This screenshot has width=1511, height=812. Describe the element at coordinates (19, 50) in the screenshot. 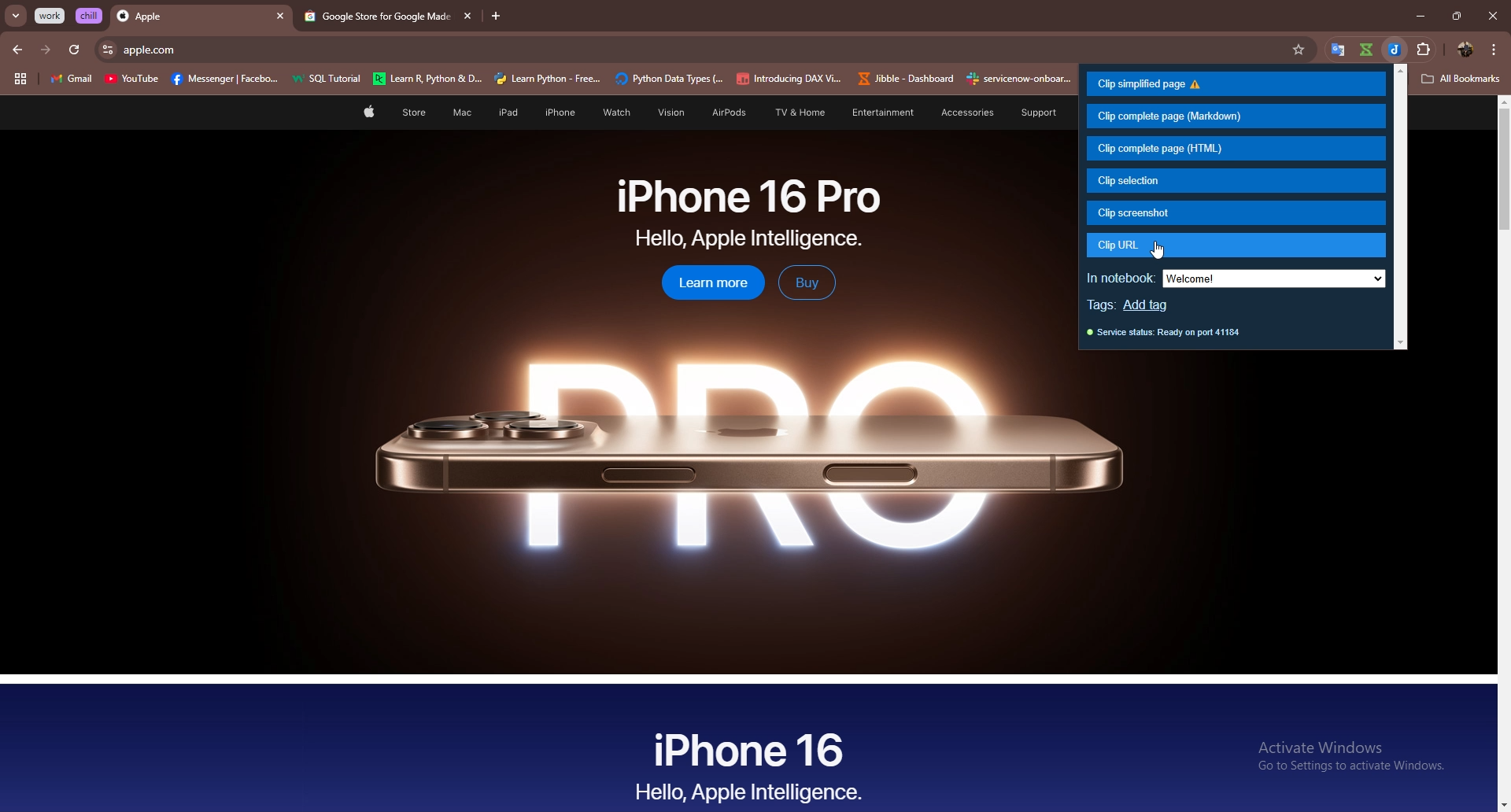

I see `back` at that location.